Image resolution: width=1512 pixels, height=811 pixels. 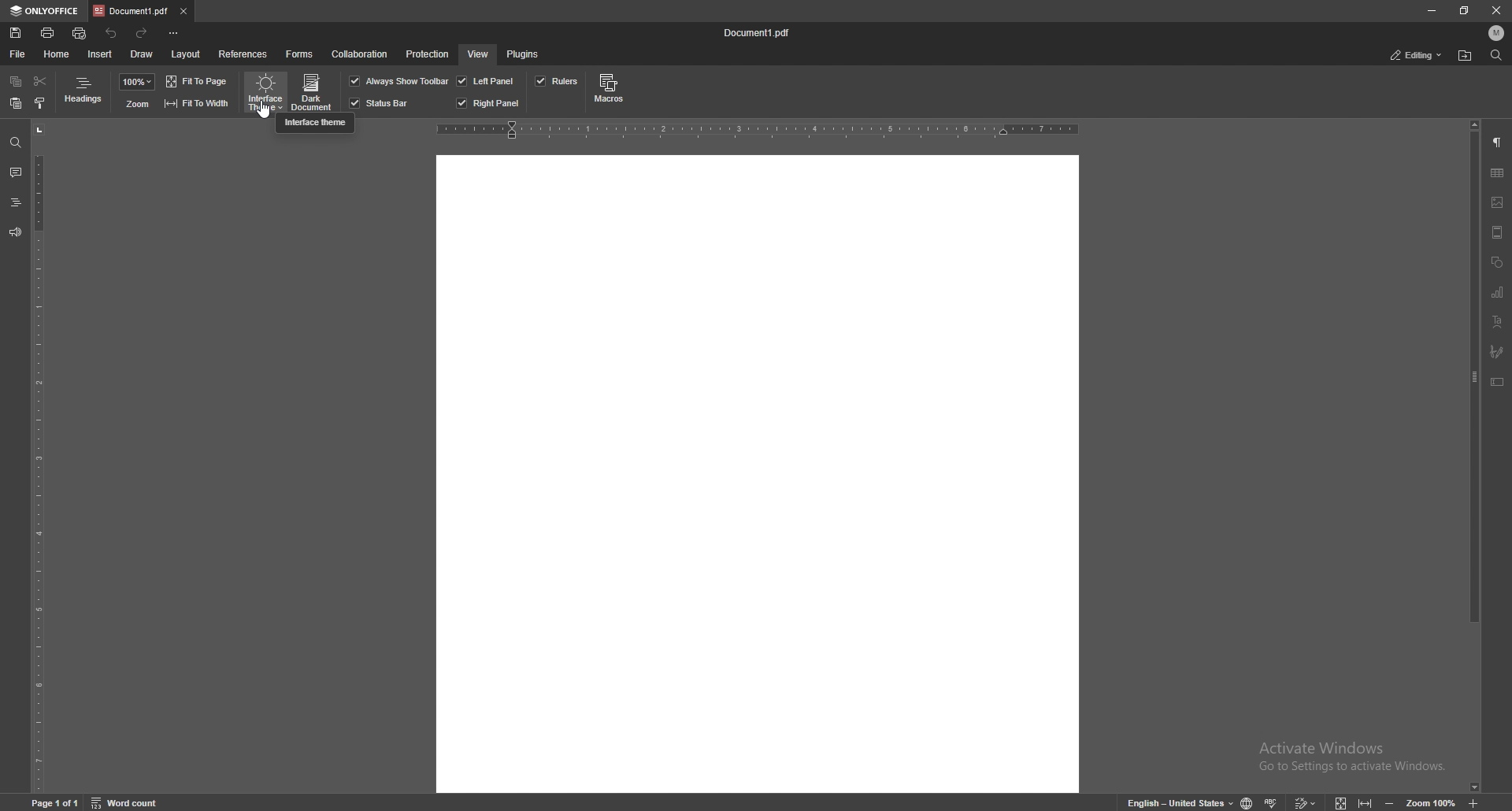 I want to click on heading, so click(x=16, y=202).